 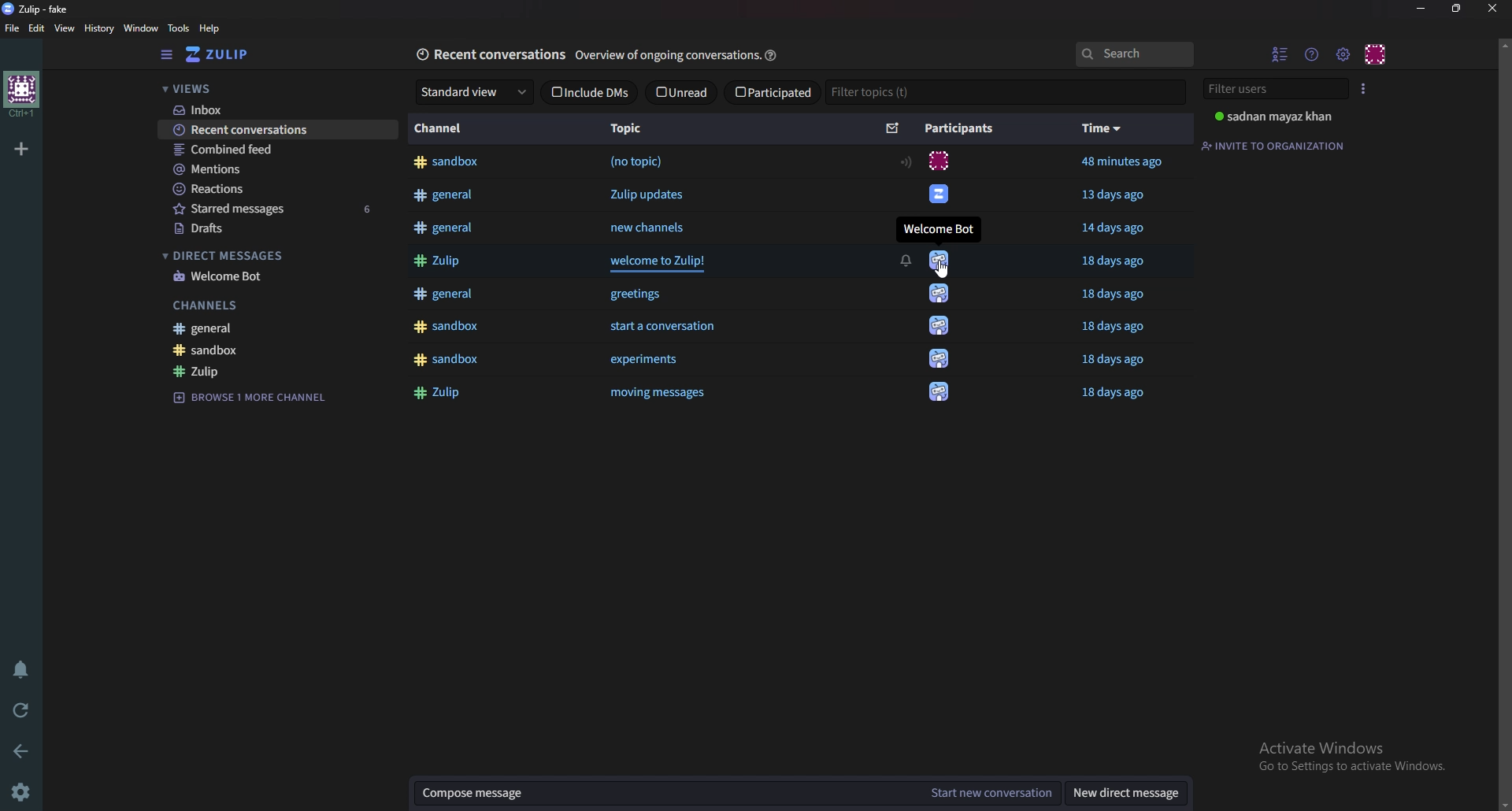 What do you see at coordinates (446, 293) in the screenshot?
I see `# general` at bounding box center [446, 293].